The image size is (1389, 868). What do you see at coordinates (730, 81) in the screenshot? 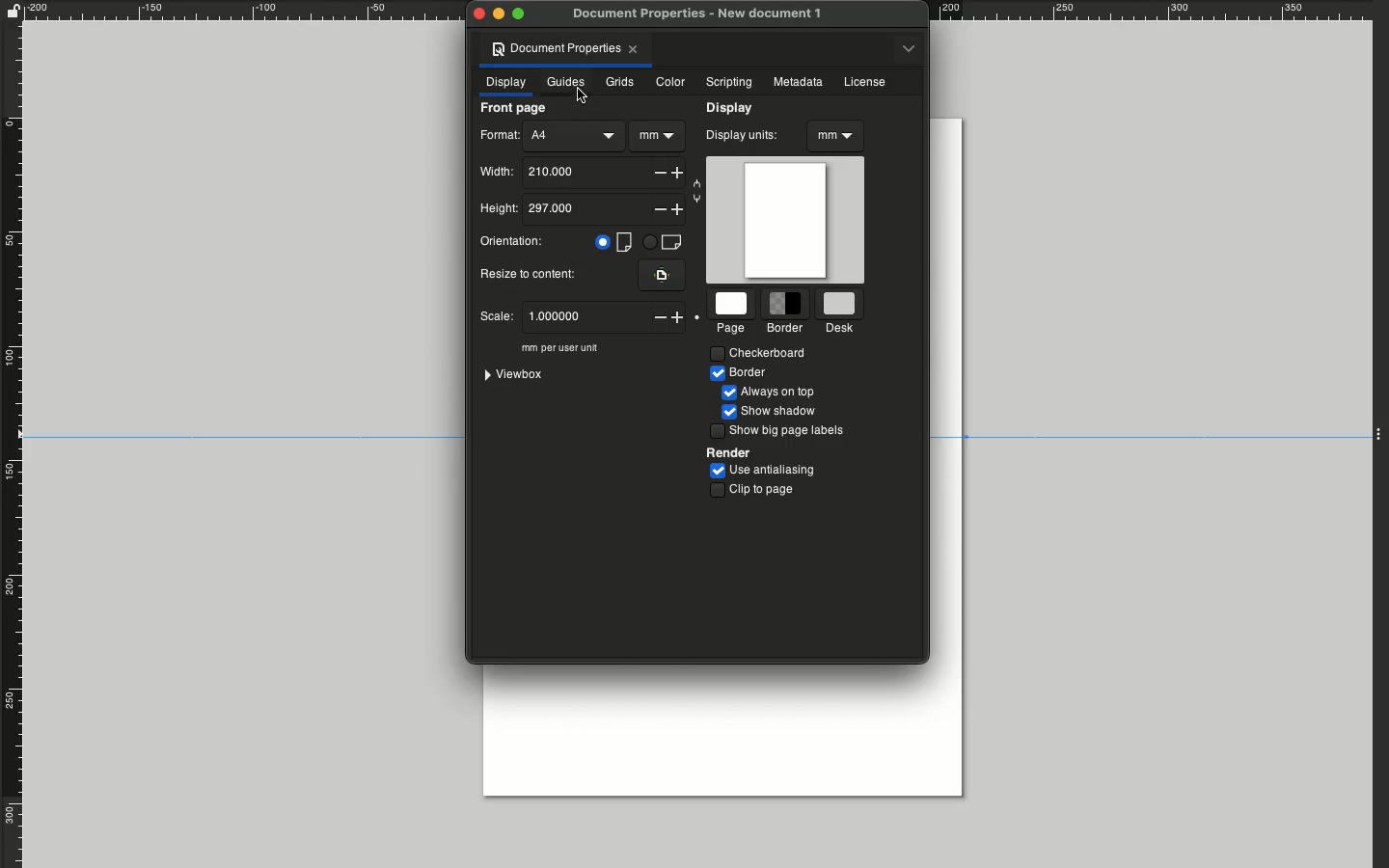
I see `Scripting` at bounding box center [730, 81].